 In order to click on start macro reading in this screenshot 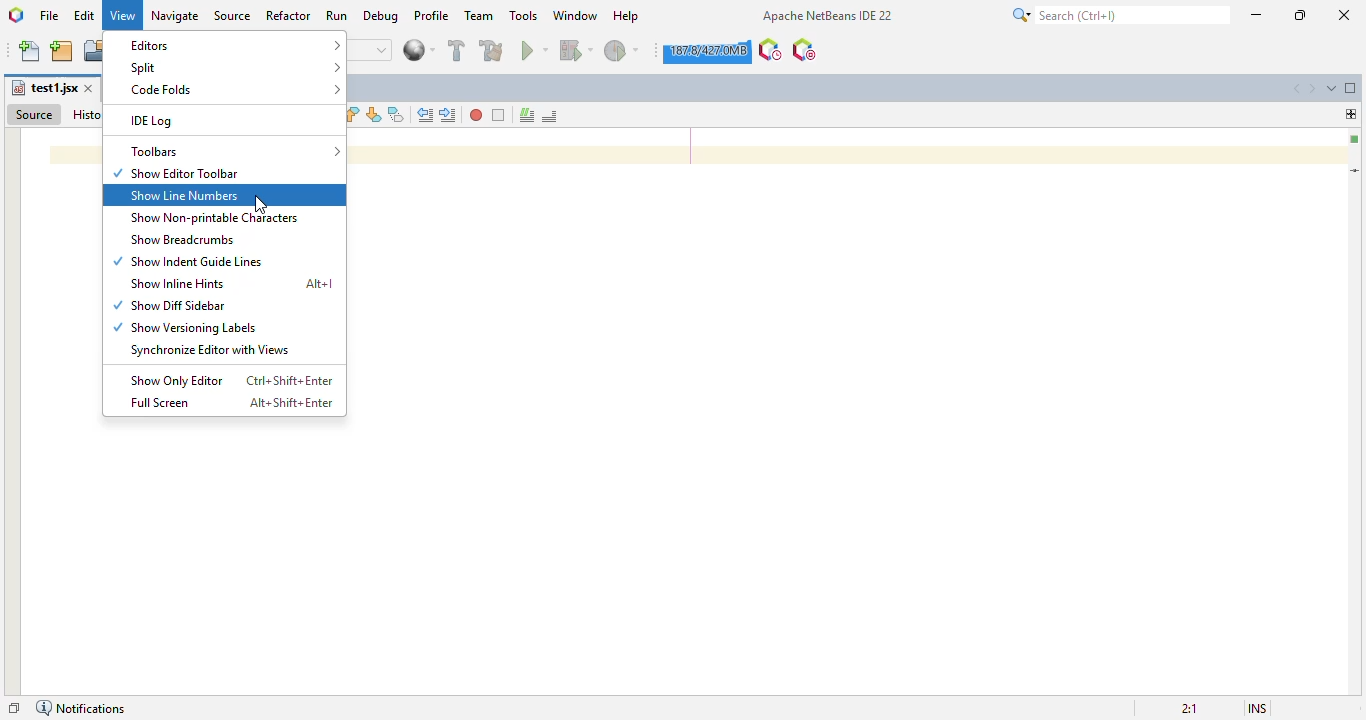, I will do `click(477, 115)`.